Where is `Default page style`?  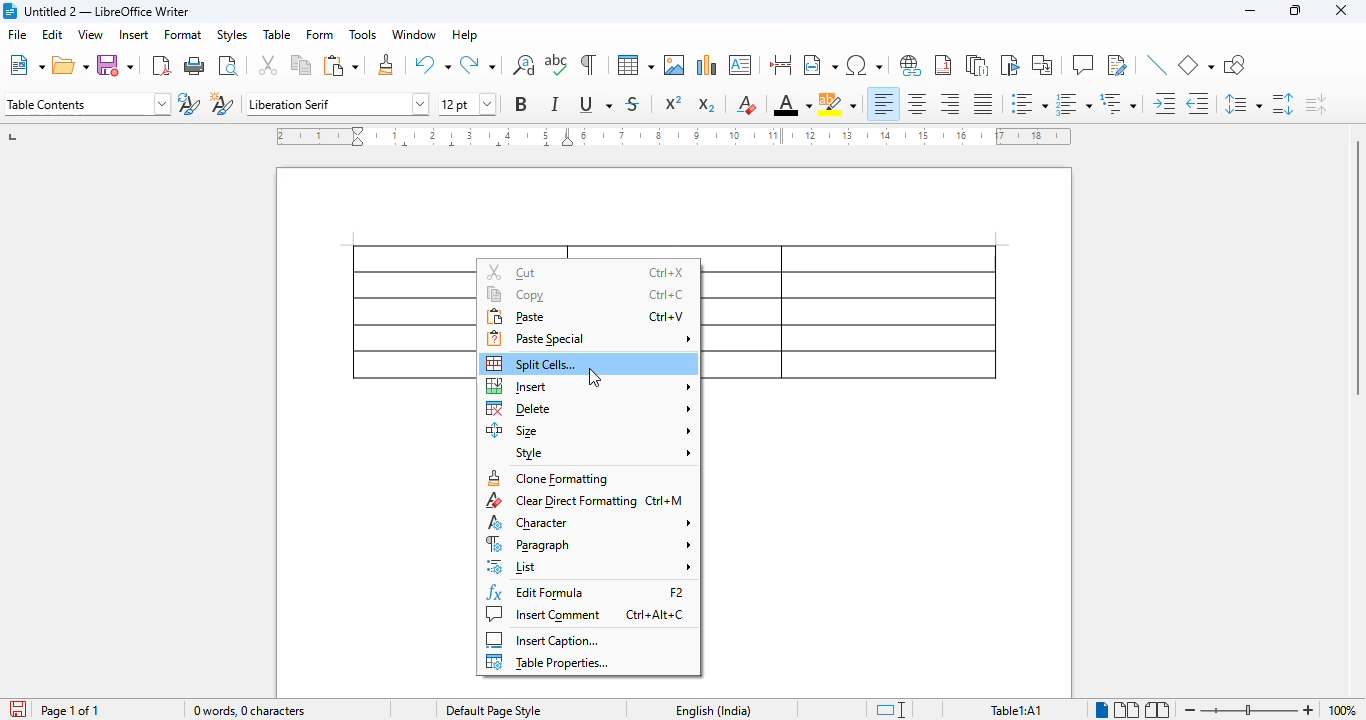 Default page style is located at coordinates (493, 710).